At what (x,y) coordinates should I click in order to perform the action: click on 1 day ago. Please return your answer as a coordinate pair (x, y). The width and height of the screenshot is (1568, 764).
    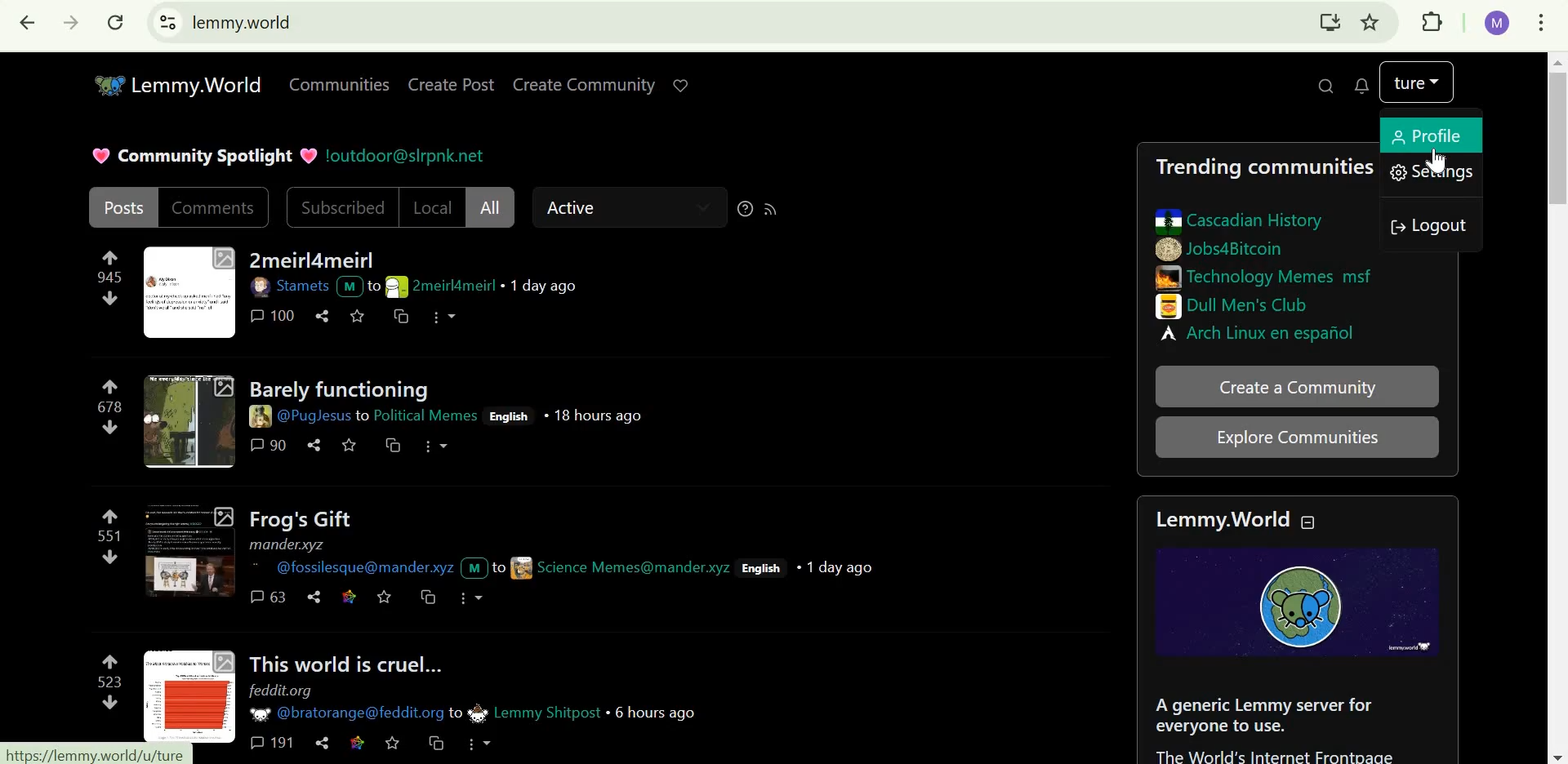
    Looking at the image, I should click on (840, 566).